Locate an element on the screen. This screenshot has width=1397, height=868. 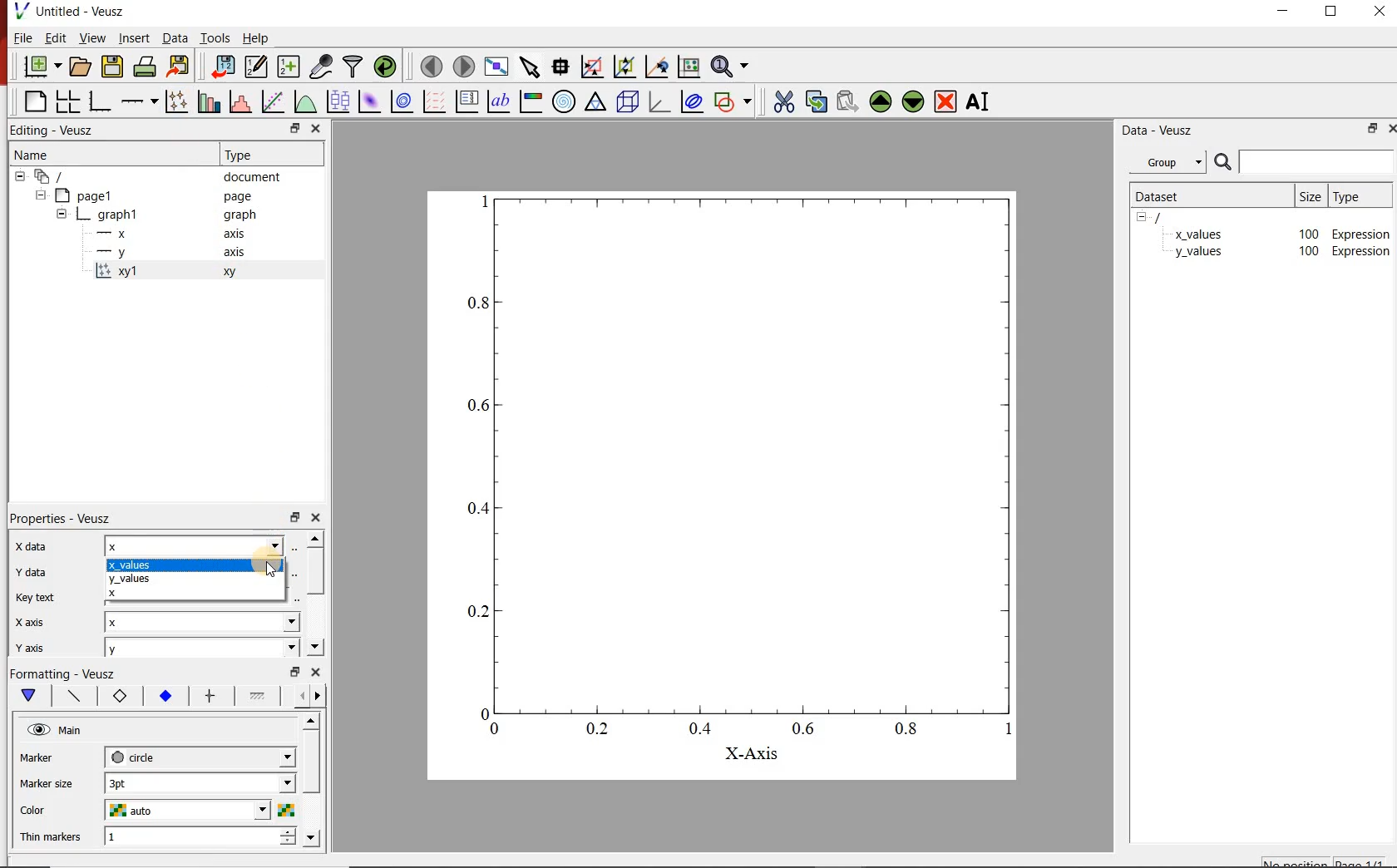
error bar line is located at coordinates (214, 697).